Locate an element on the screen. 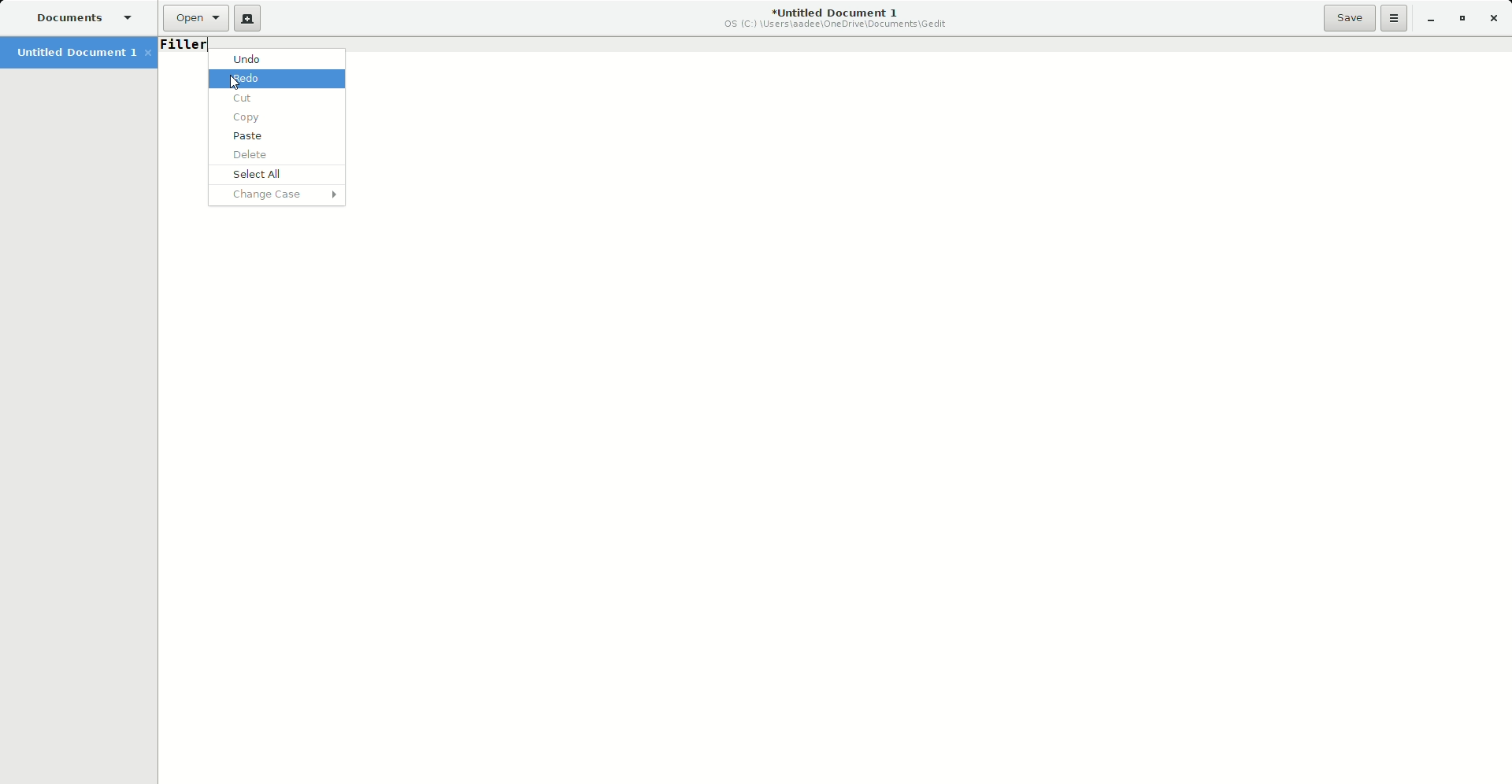  Paste is located at coordinates (277, 138).